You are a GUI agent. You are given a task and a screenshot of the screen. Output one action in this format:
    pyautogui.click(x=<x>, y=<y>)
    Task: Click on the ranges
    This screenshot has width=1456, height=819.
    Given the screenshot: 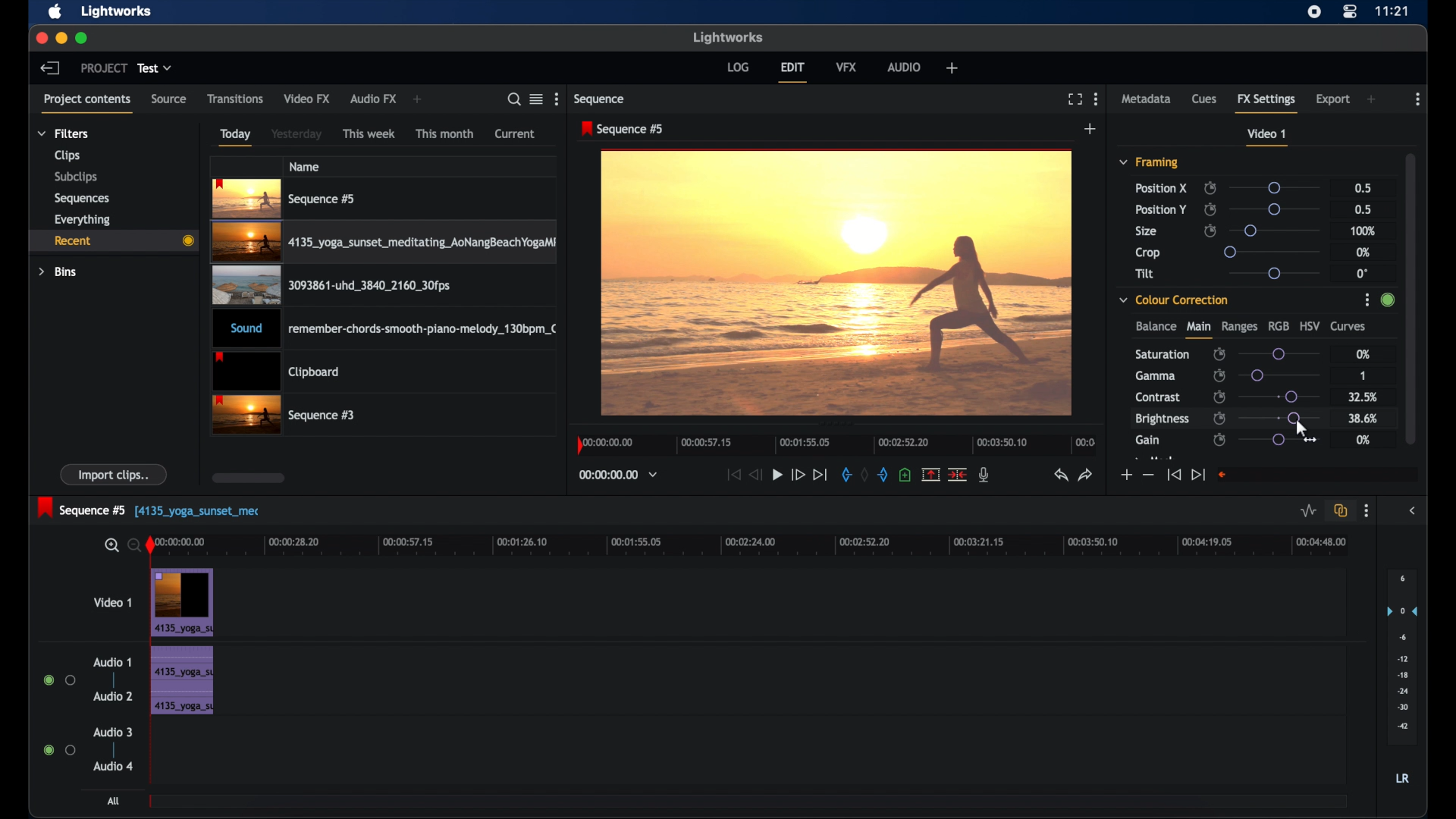 What is the action you would take?
    pyautogui.click(x=1239, y=327)
    